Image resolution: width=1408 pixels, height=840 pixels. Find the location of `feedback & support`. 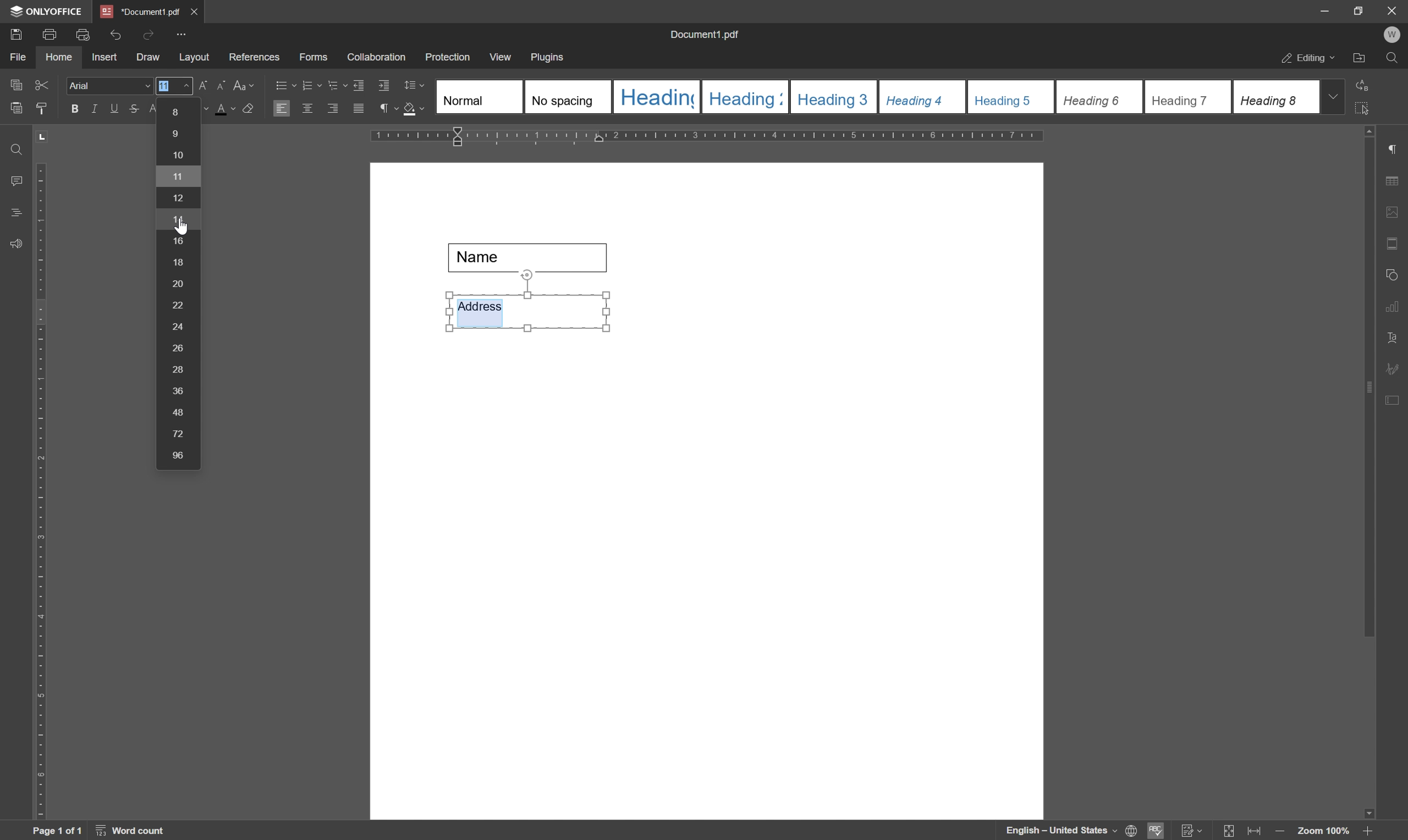

feedback & support is located at coordinates (16, 245).